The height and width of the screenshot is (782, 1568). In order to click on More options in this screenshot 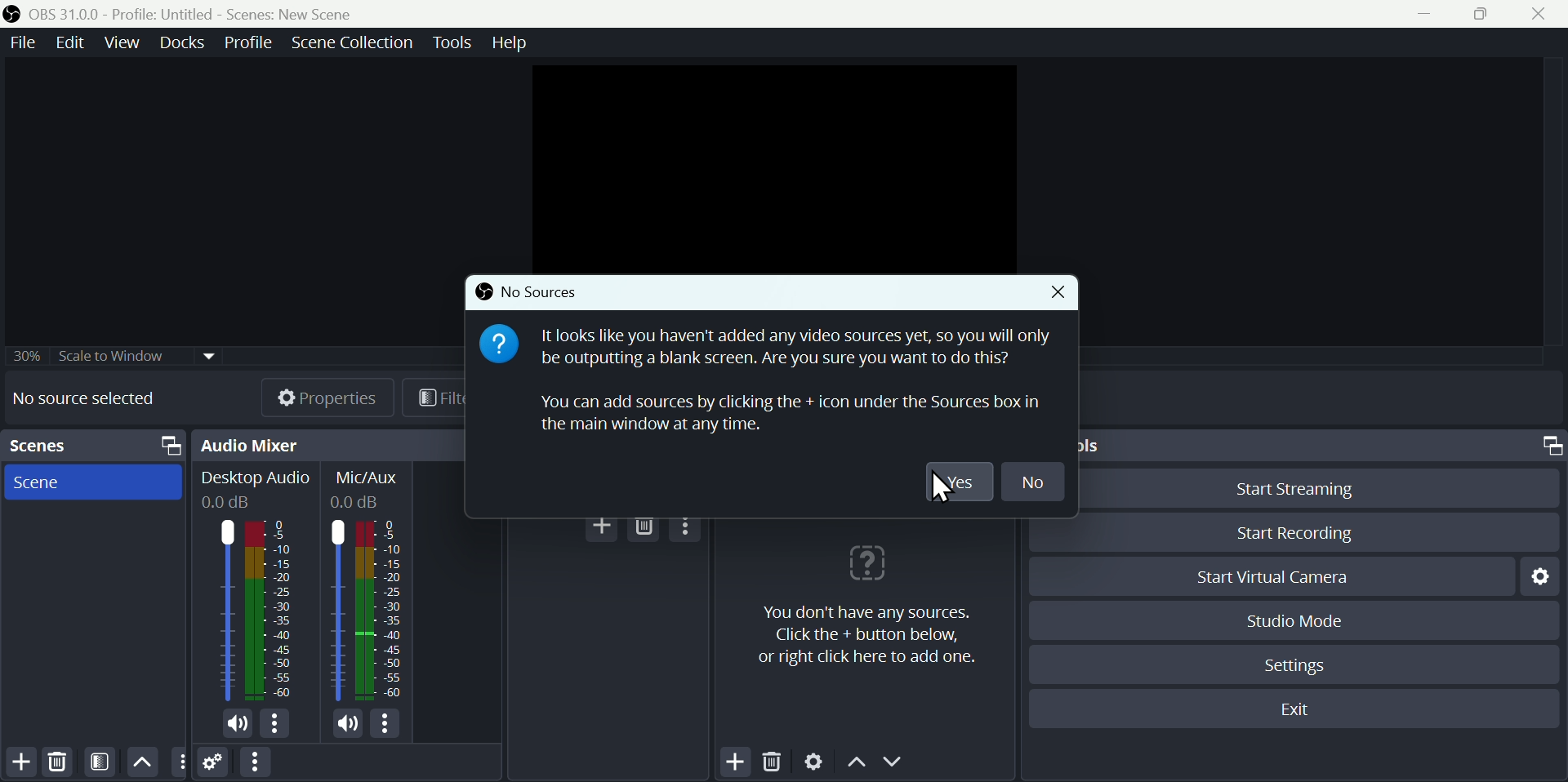, I will do `click(181, 762)`.